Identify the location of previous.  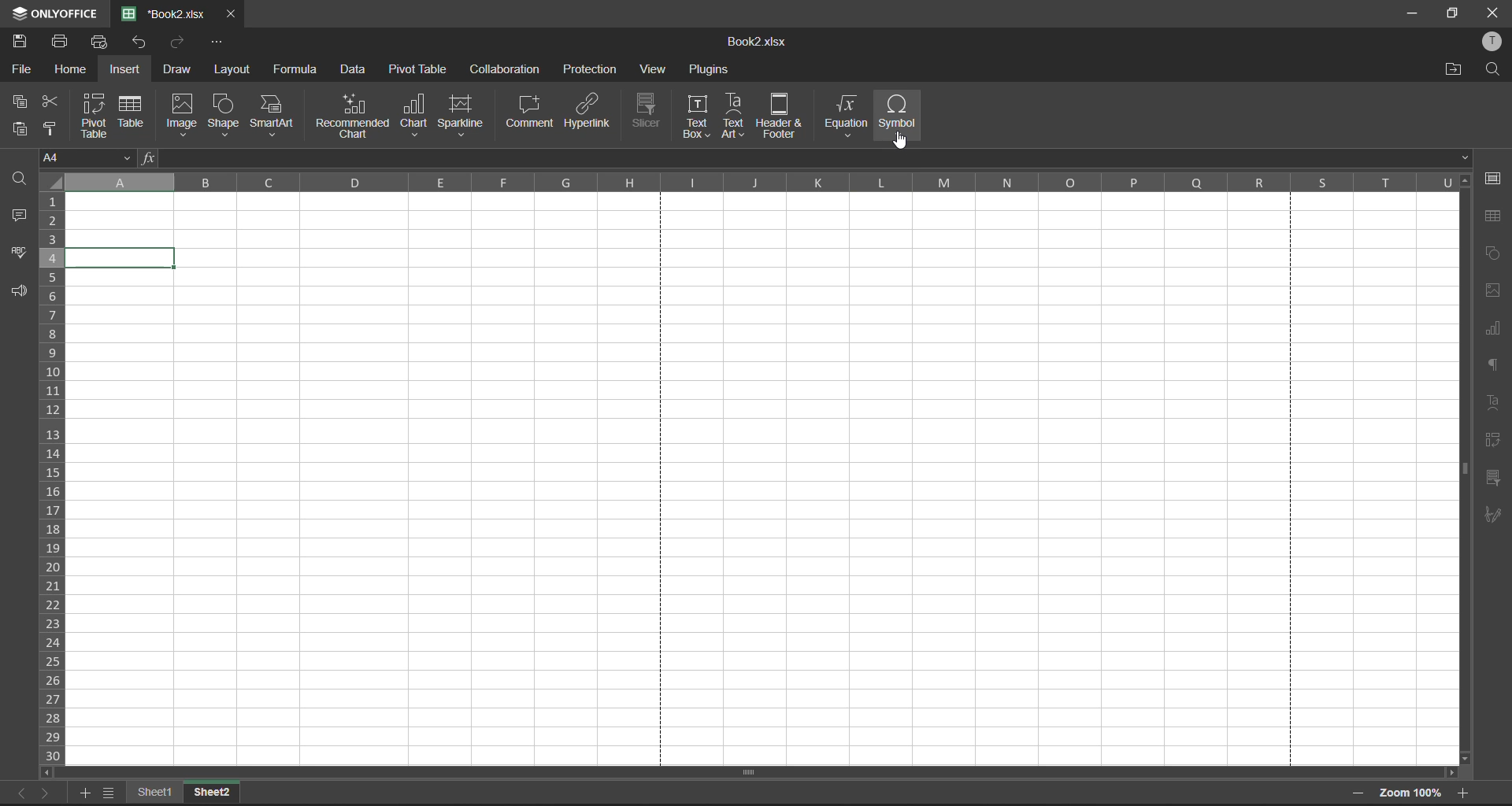
(18, 794).